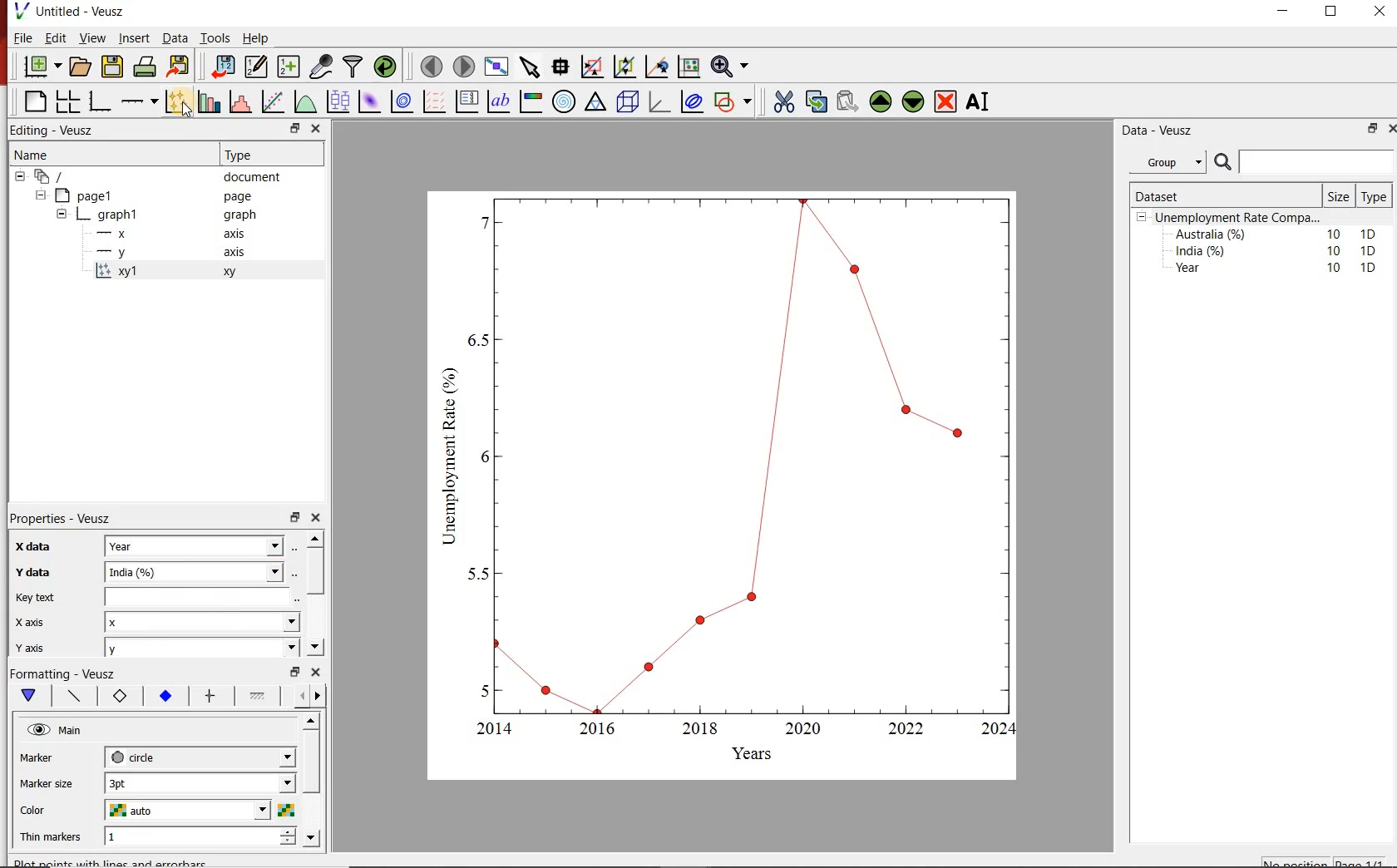  I want to click on plot points with lines and errorbars, so click(176, 101).